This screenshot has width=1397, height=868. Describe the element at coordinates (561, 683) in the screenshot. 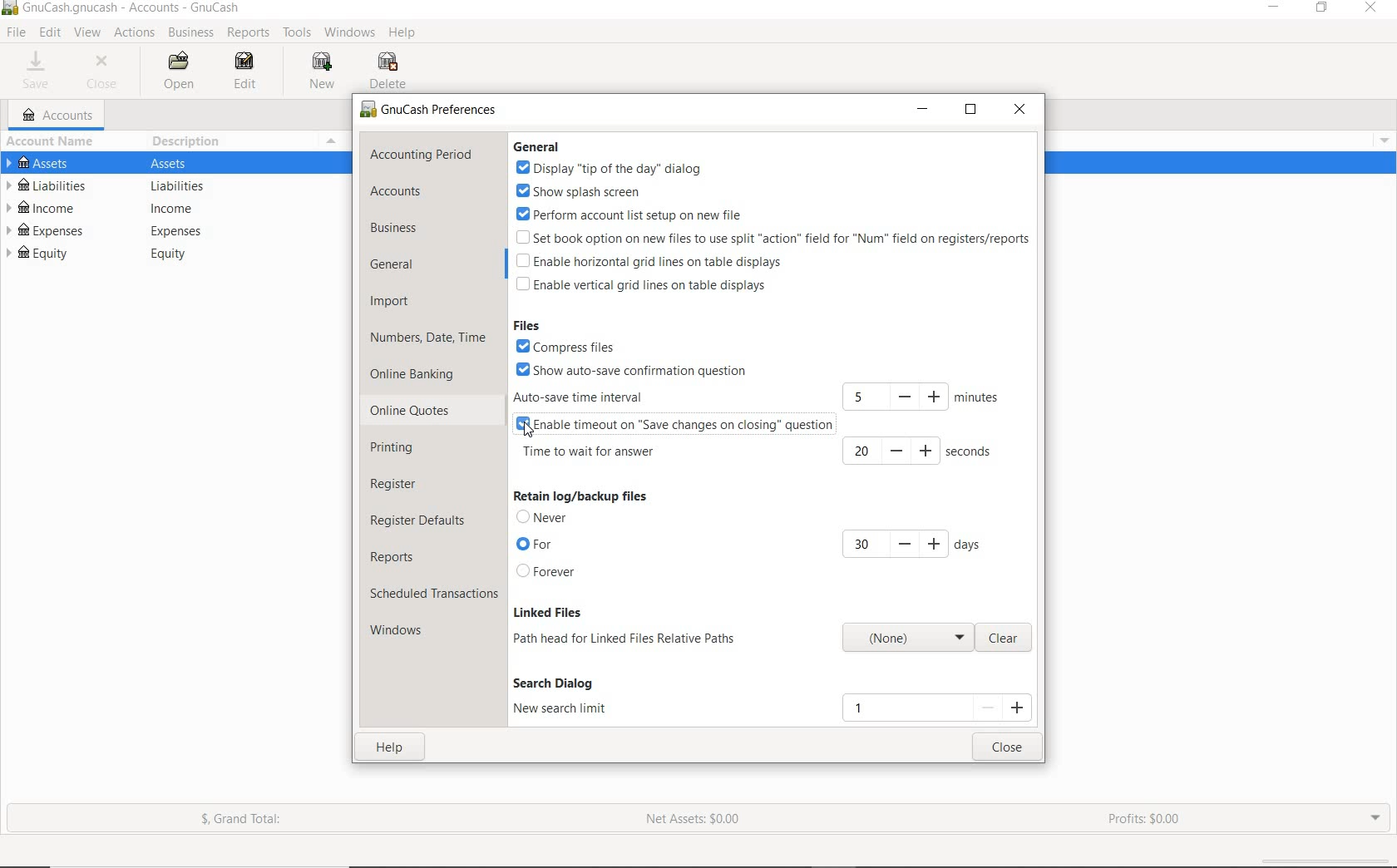

I see `search dialog` at that location.